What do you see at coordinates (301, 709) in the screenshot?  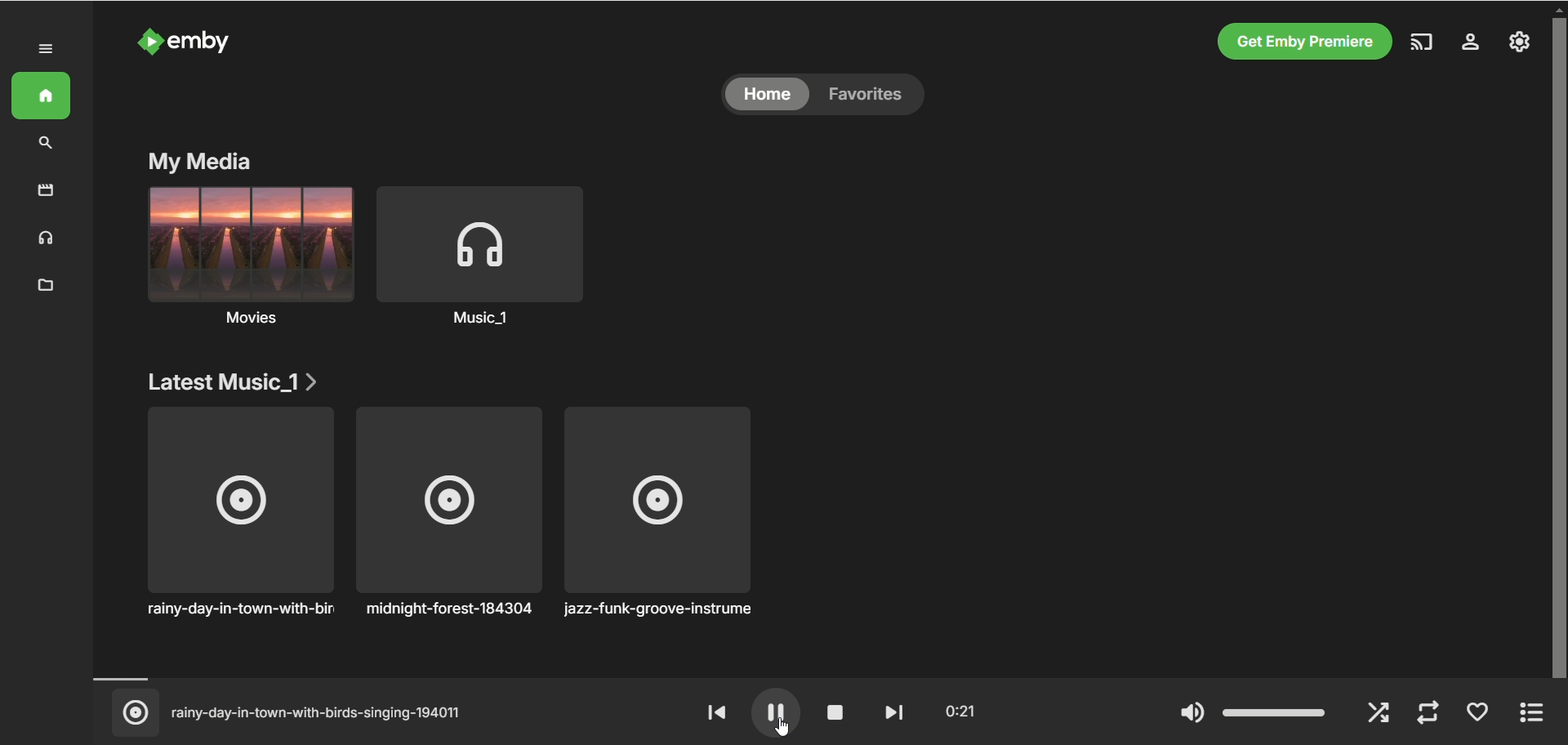 I see `(© rainy-day-in-town-with-birds-singing-194011` at bounding box center [301, 709].